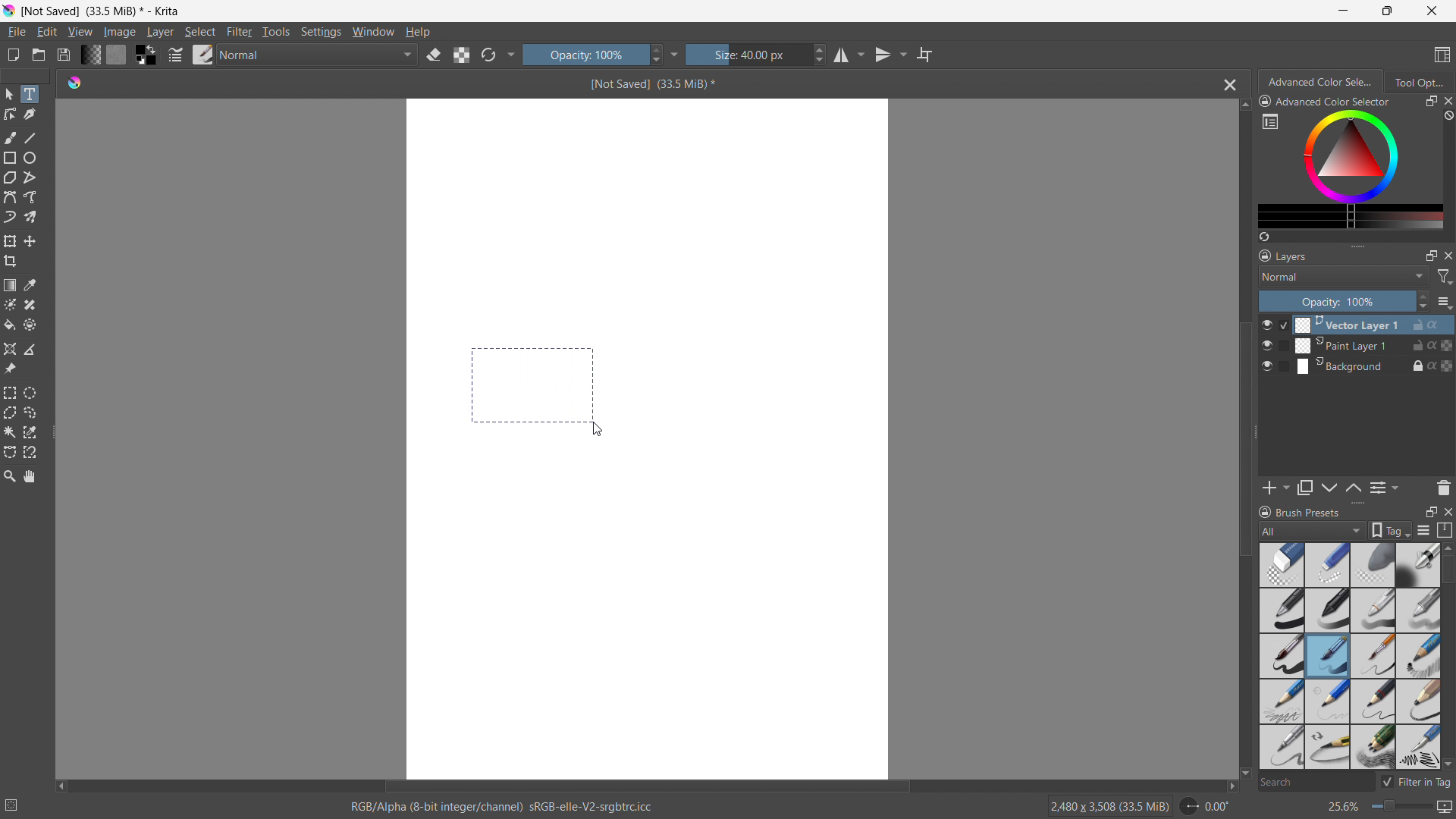 This screenshot has height=819, width=1456. What do you see at coordinates (675, 54) in the screenshot?
I see `more settings` at bounding box center [675, 54].